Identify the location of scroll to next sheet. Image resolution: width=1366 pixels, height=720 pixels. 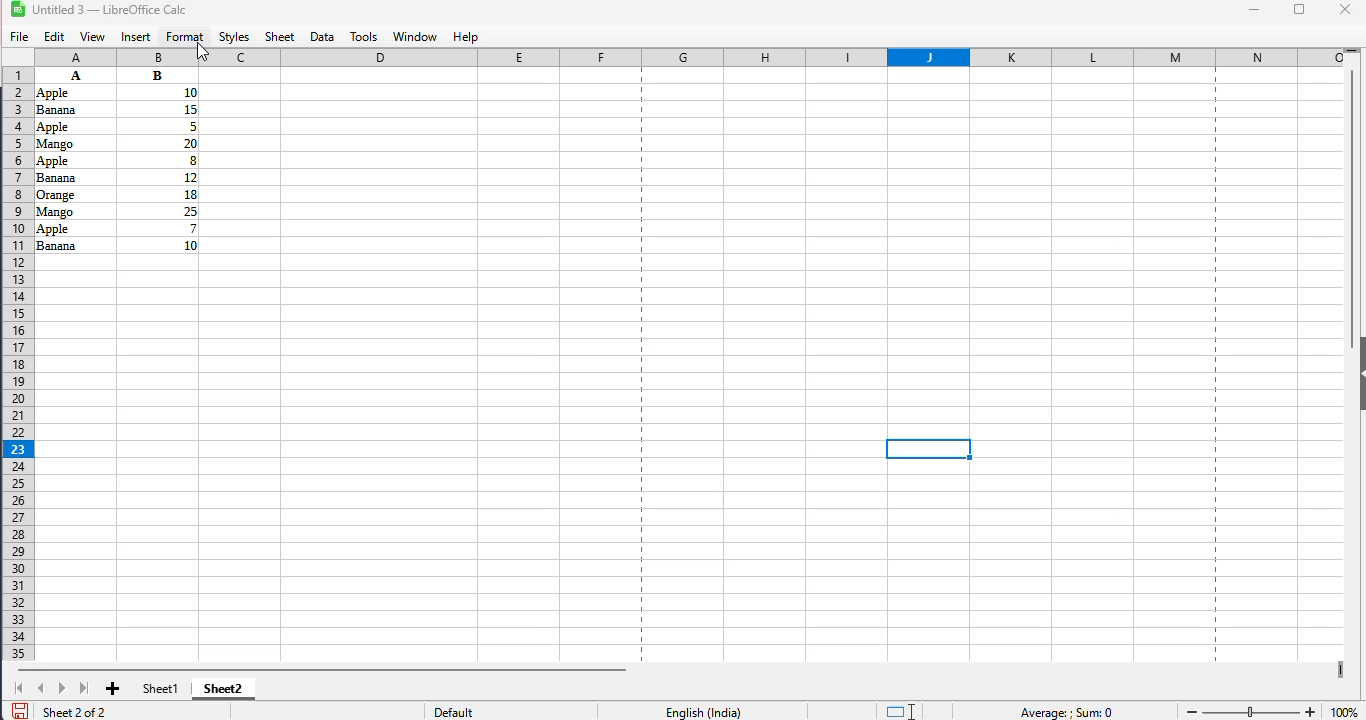
(62, 688).